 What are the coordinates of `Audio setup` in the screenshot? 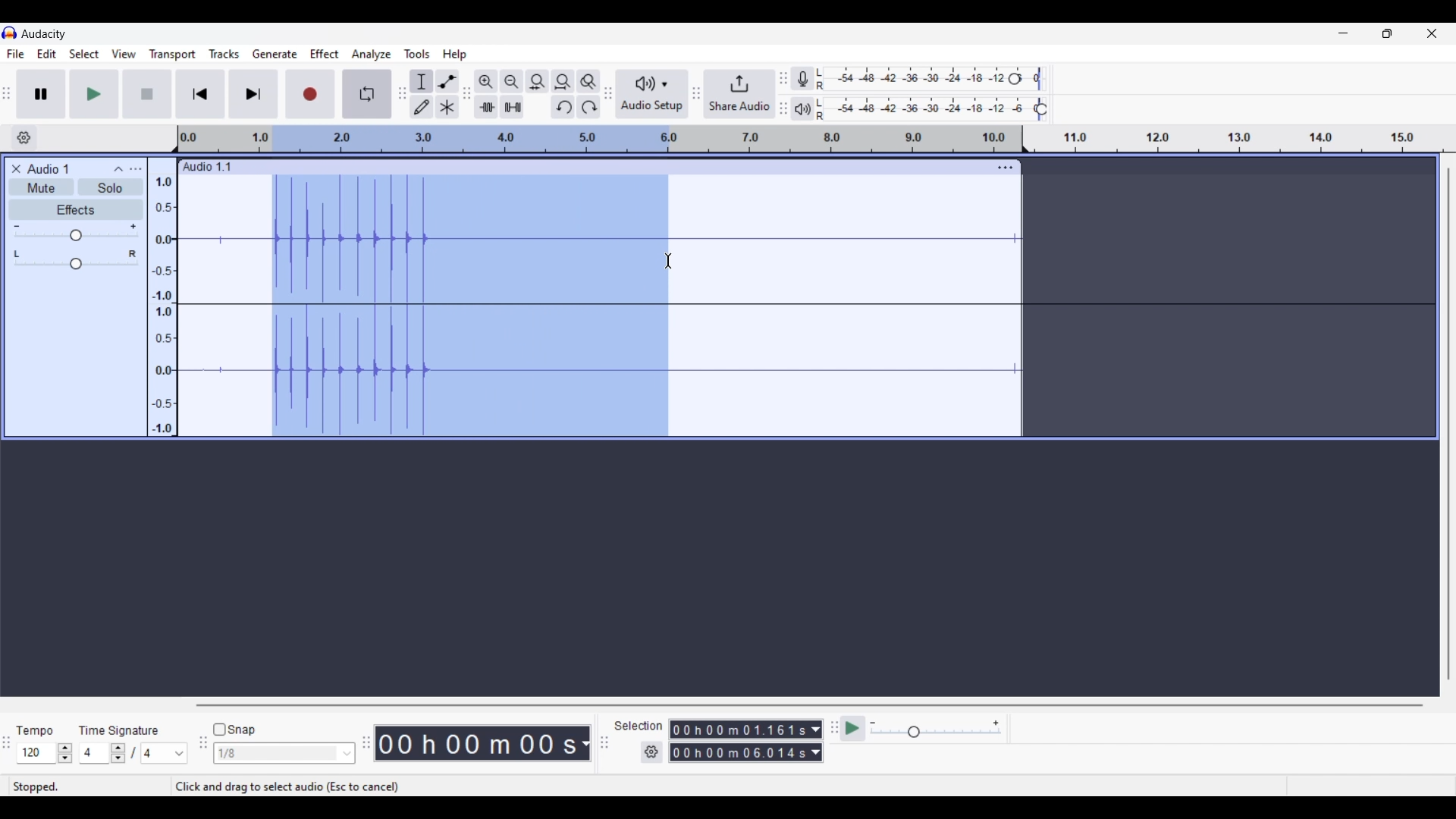 It's located at (653, 94).